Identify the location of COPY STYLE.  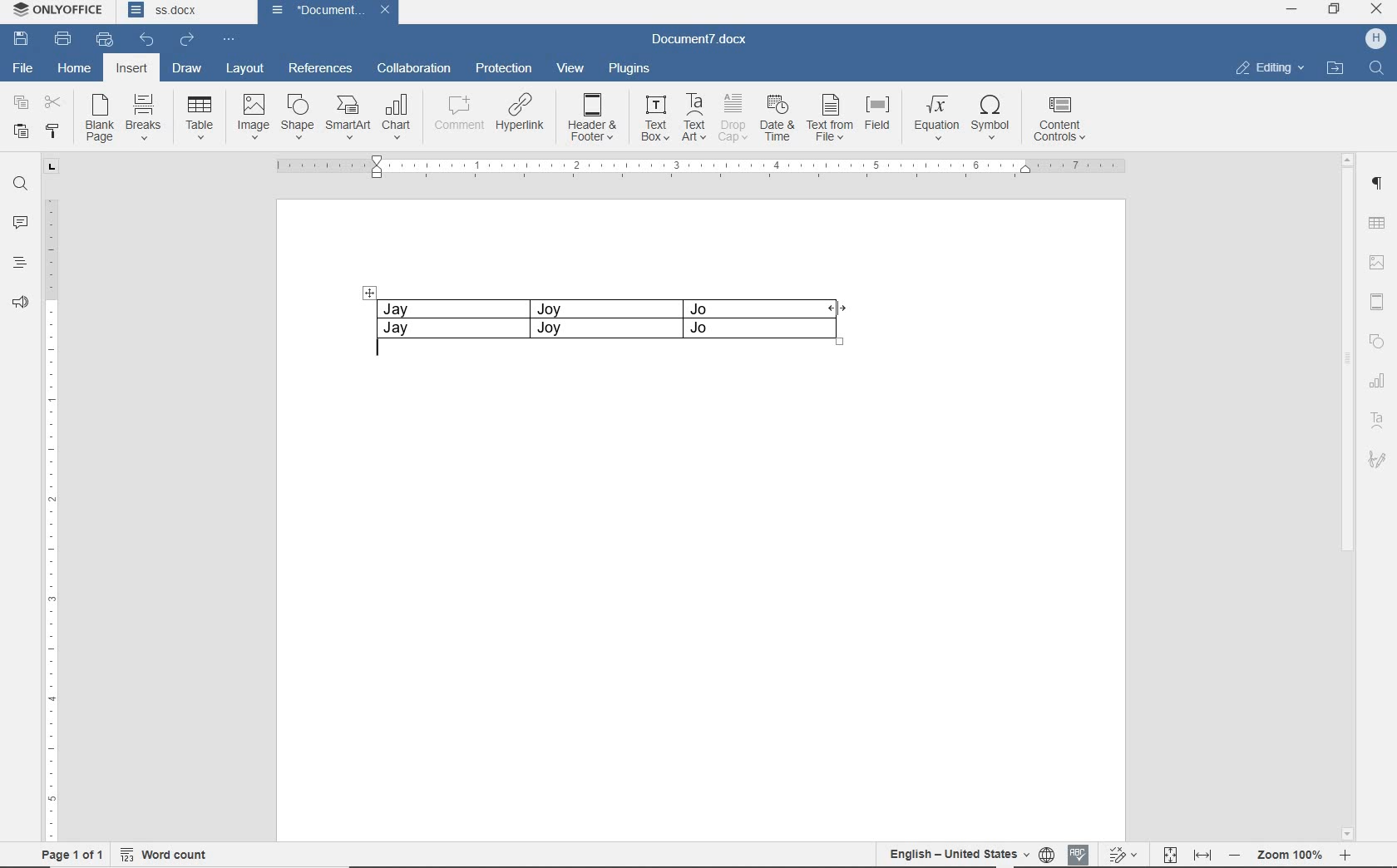
(52, 132).